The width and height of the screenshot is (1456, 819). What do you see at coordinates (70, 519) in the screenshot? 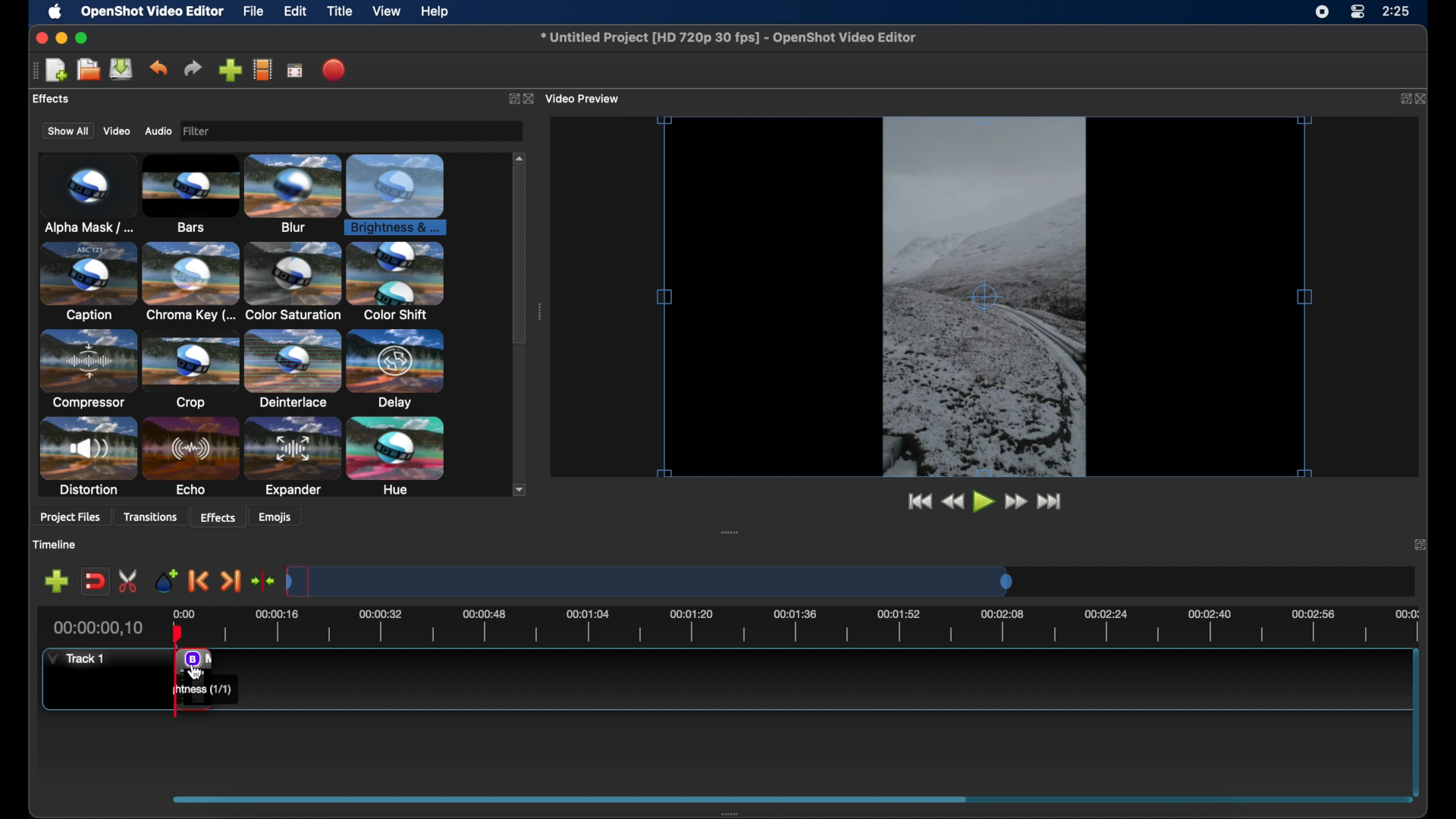
I see `project files` at bounding box center [70, 519].